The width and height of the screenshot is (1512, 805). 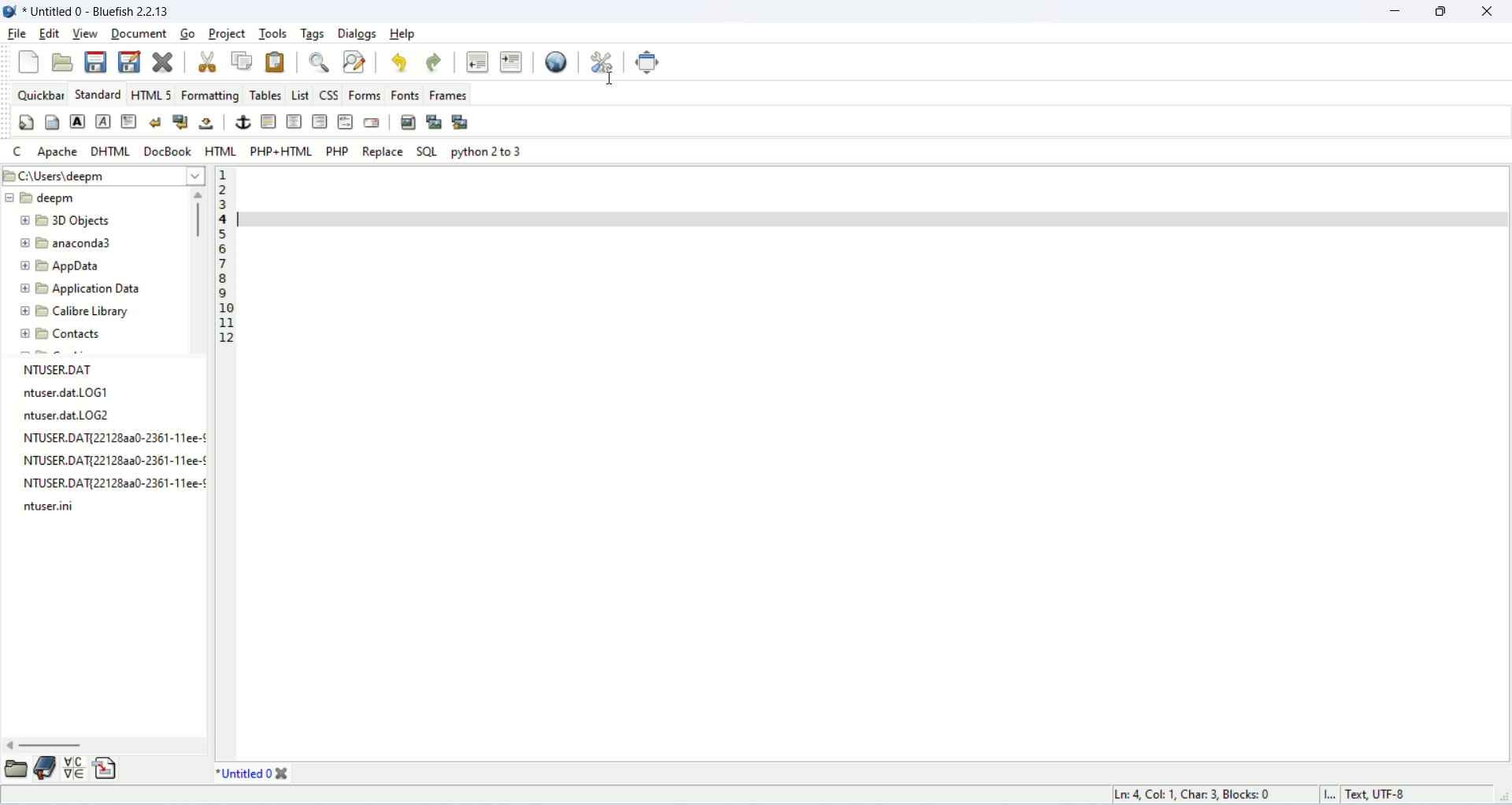 What do you see at coordinates (17, 34) in the screenshot?
I see `file` at bounding box center [17, 34].